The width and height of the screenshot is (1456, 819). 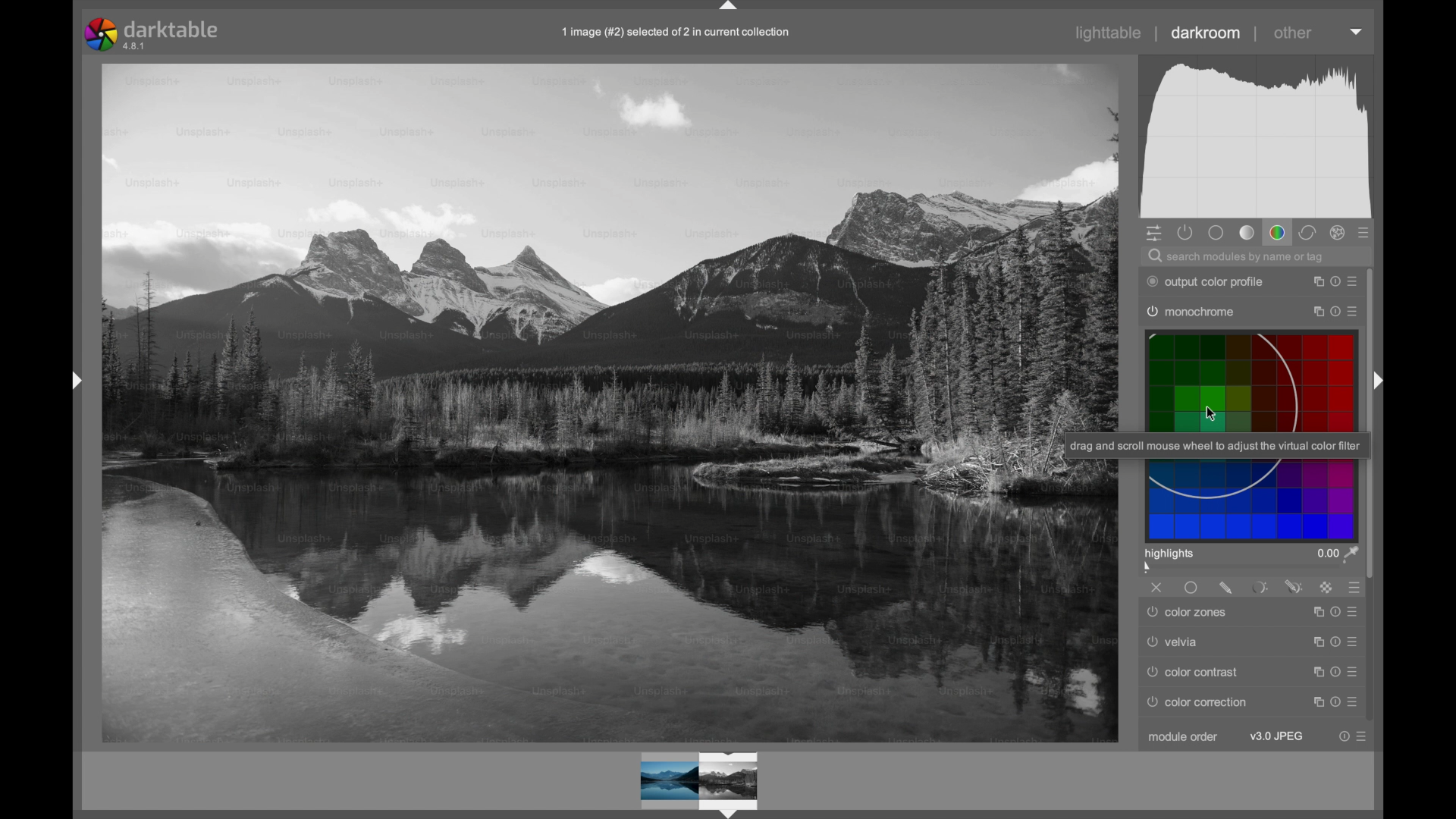 What do you see at coordinates (76, 378) in the screenshot?
I see `Drag handle` at bounding box center [76, 378].